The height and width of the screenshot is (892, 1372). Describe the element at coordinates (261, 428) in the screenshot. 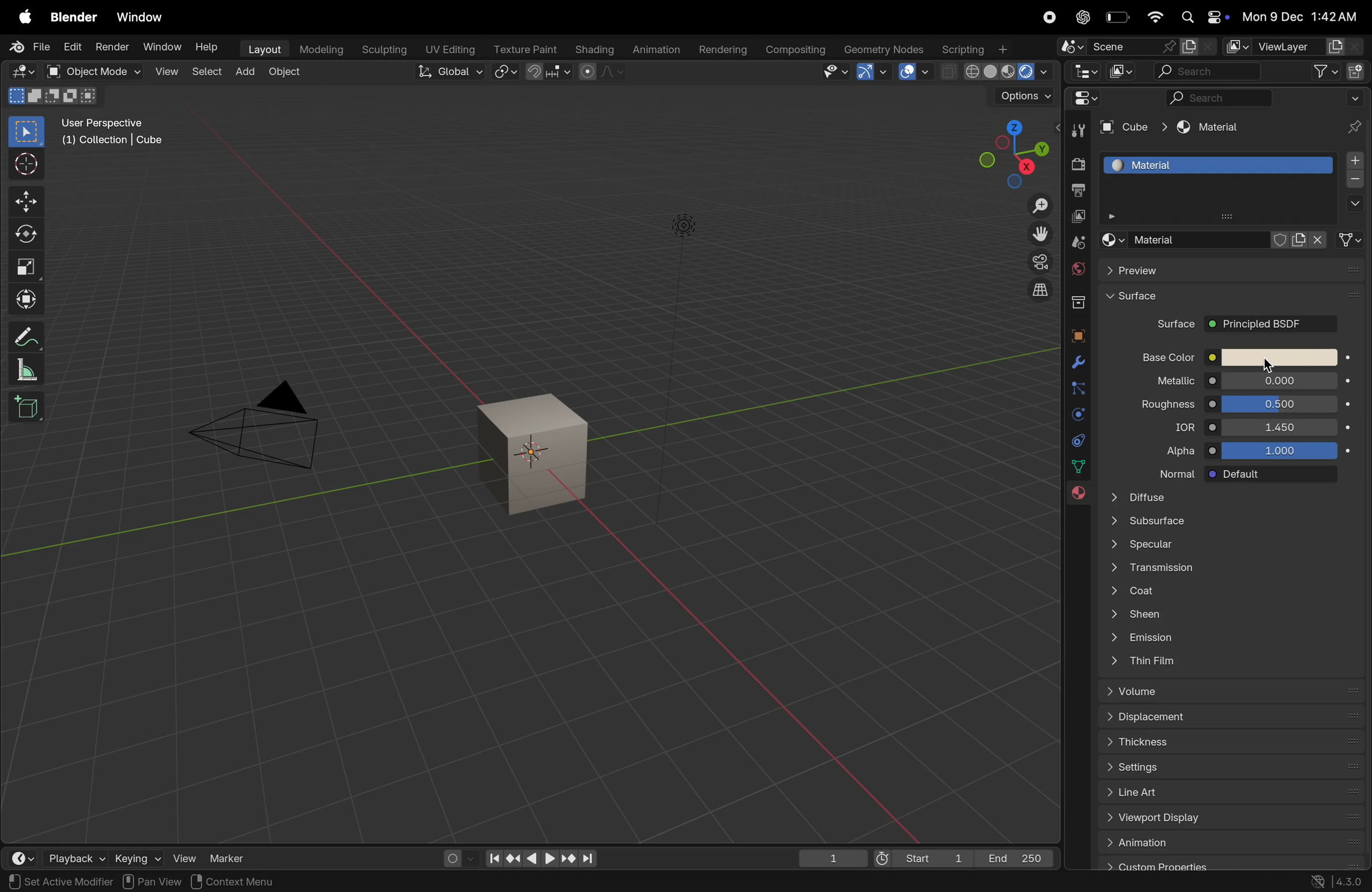

I see `perspective camera` at that location.